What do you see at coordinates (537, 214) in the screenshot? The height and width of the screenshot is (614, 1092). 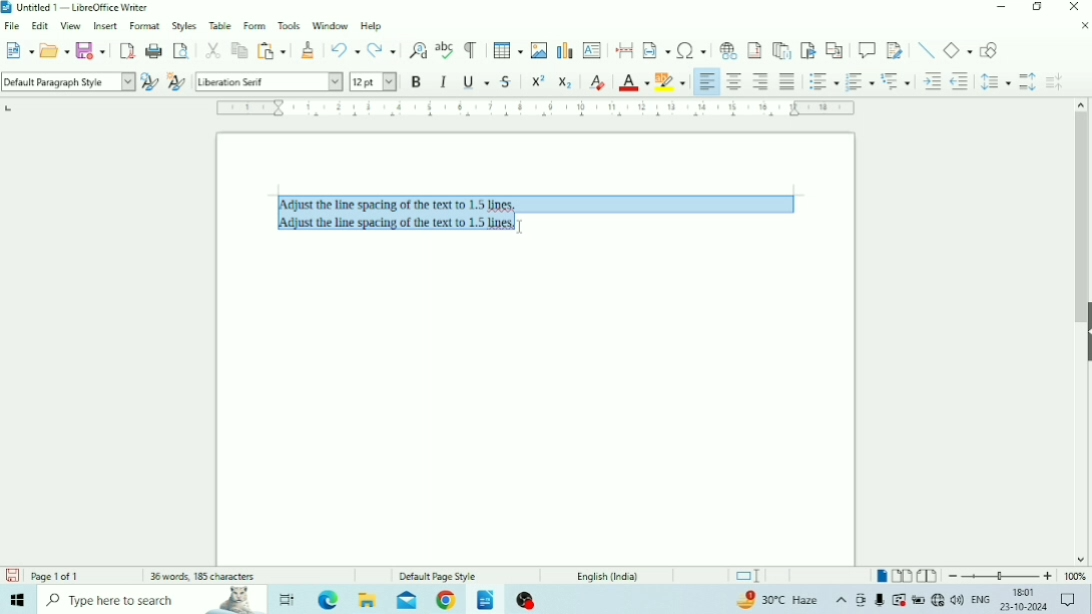 I see `Text selected` at bounding box center [537, 214].